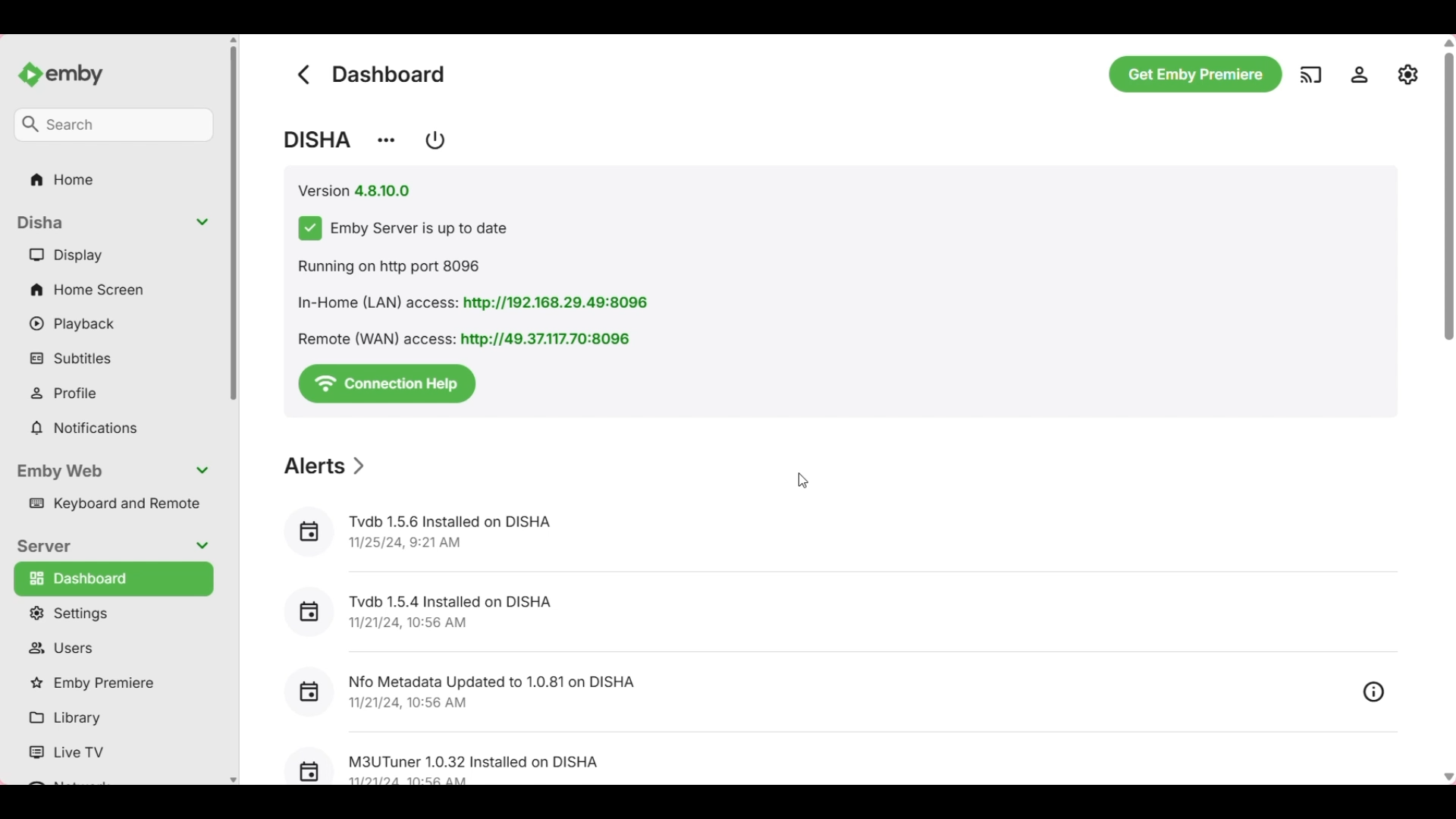  What do you see at coordinates (1448, 184) in the screenshot?
I see `Vertical slide bar` at bounding box center [1448, 184].